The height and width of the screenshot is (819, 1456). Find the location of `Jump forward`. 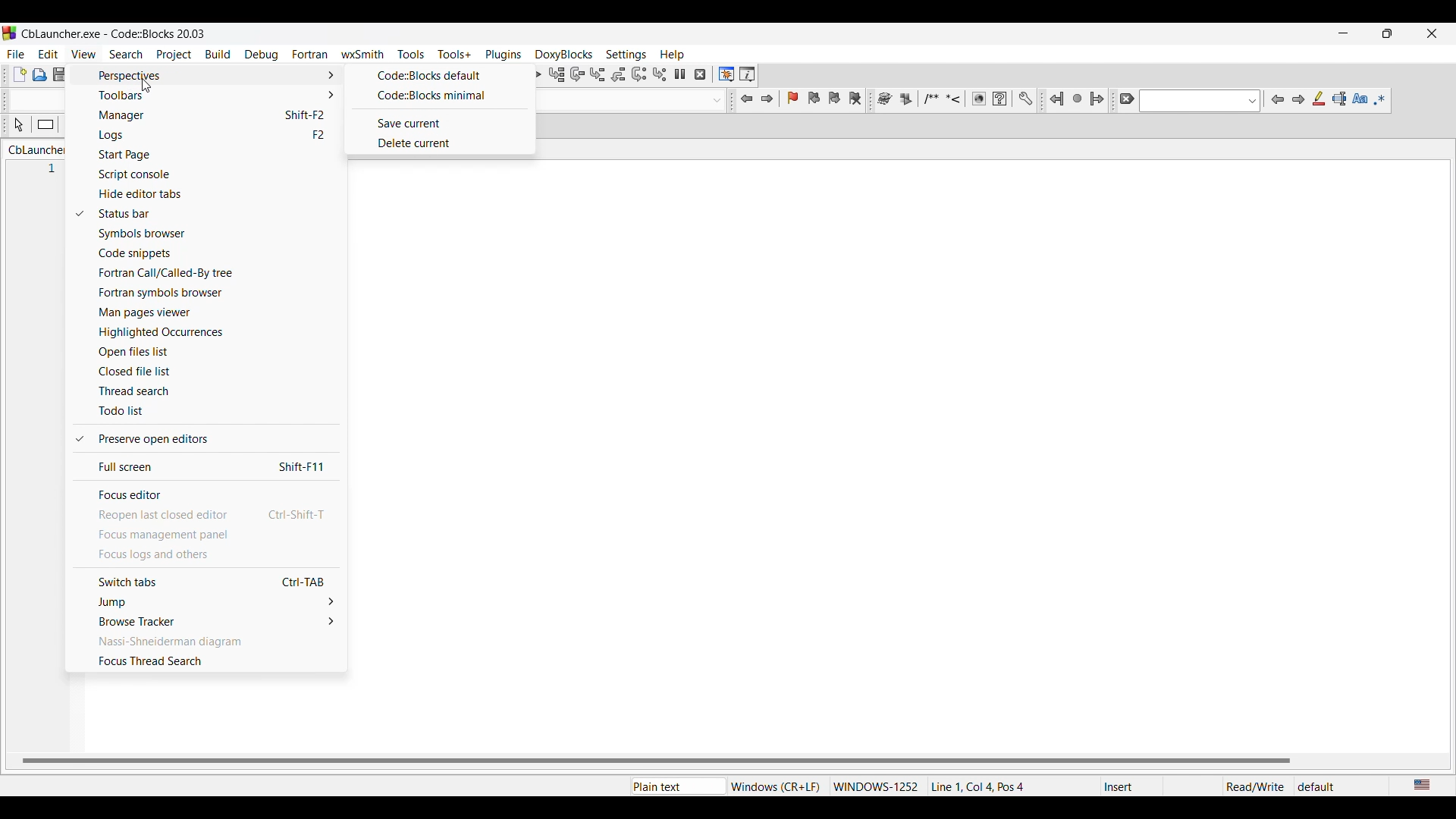

Jump forward is located at coordinates (767, 99).